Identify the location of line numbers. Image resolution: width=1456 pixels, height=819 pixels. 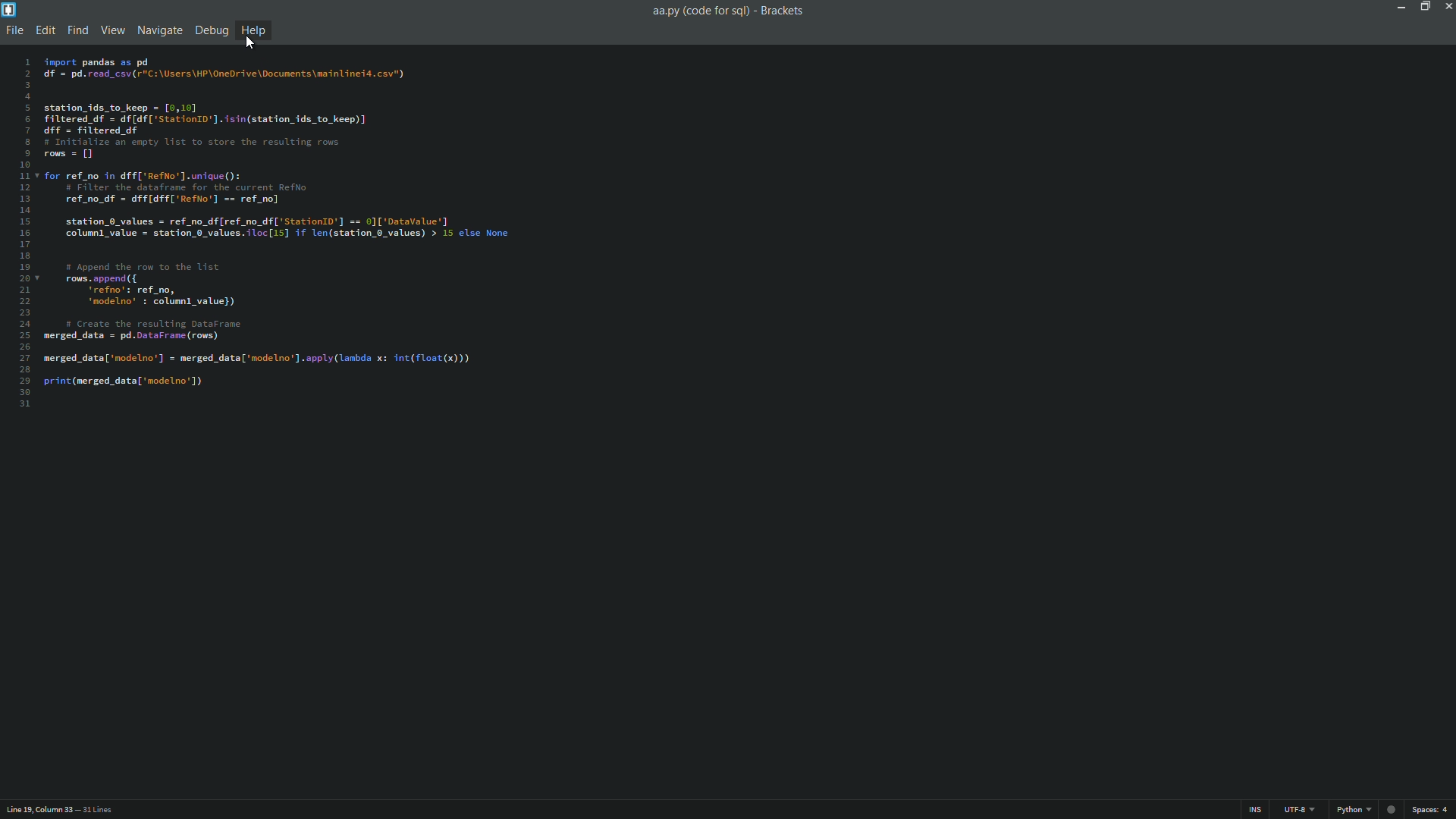
(24, 227).